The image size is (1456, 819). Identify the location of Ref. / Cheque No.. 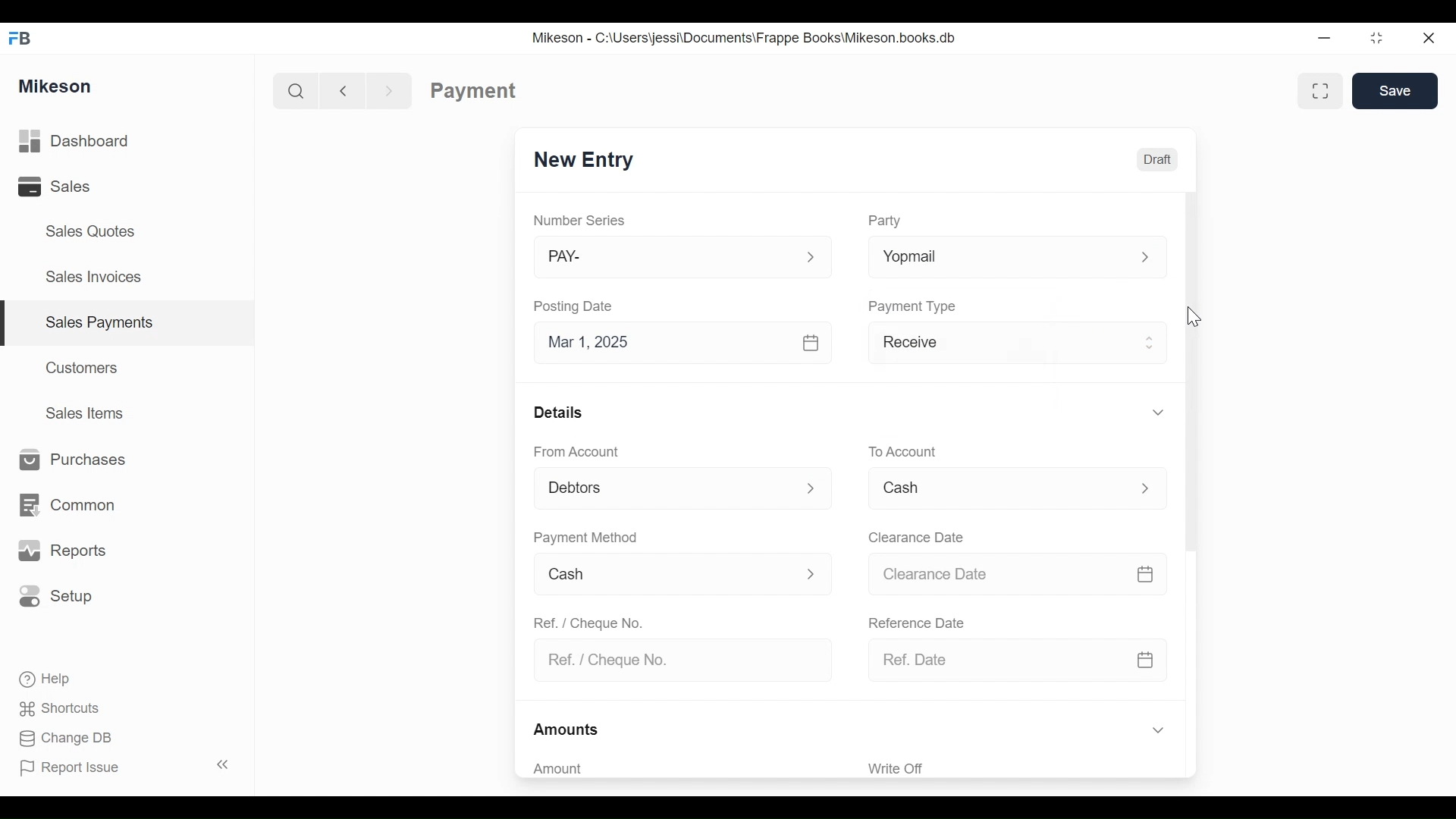
(595, 622).